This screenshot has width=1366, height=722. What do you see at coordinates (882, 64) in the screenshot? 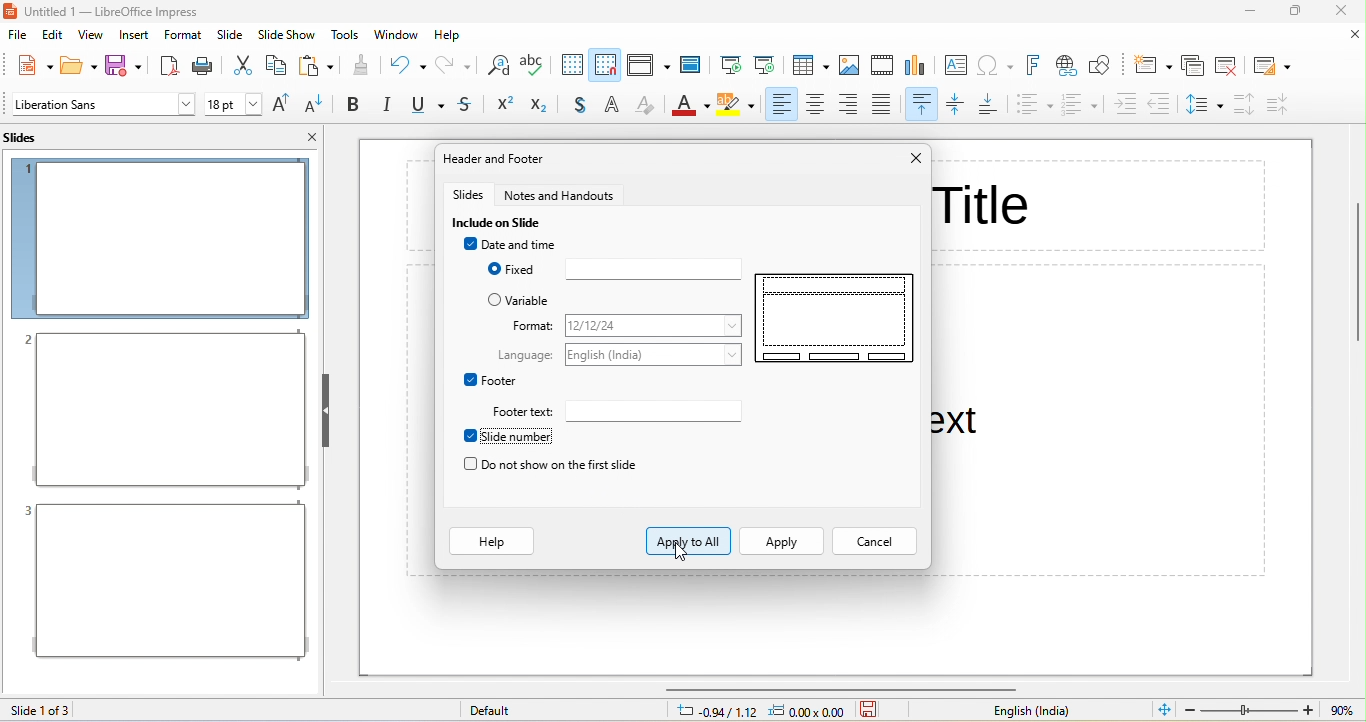
I see `video` at bounding box center [882, 64].